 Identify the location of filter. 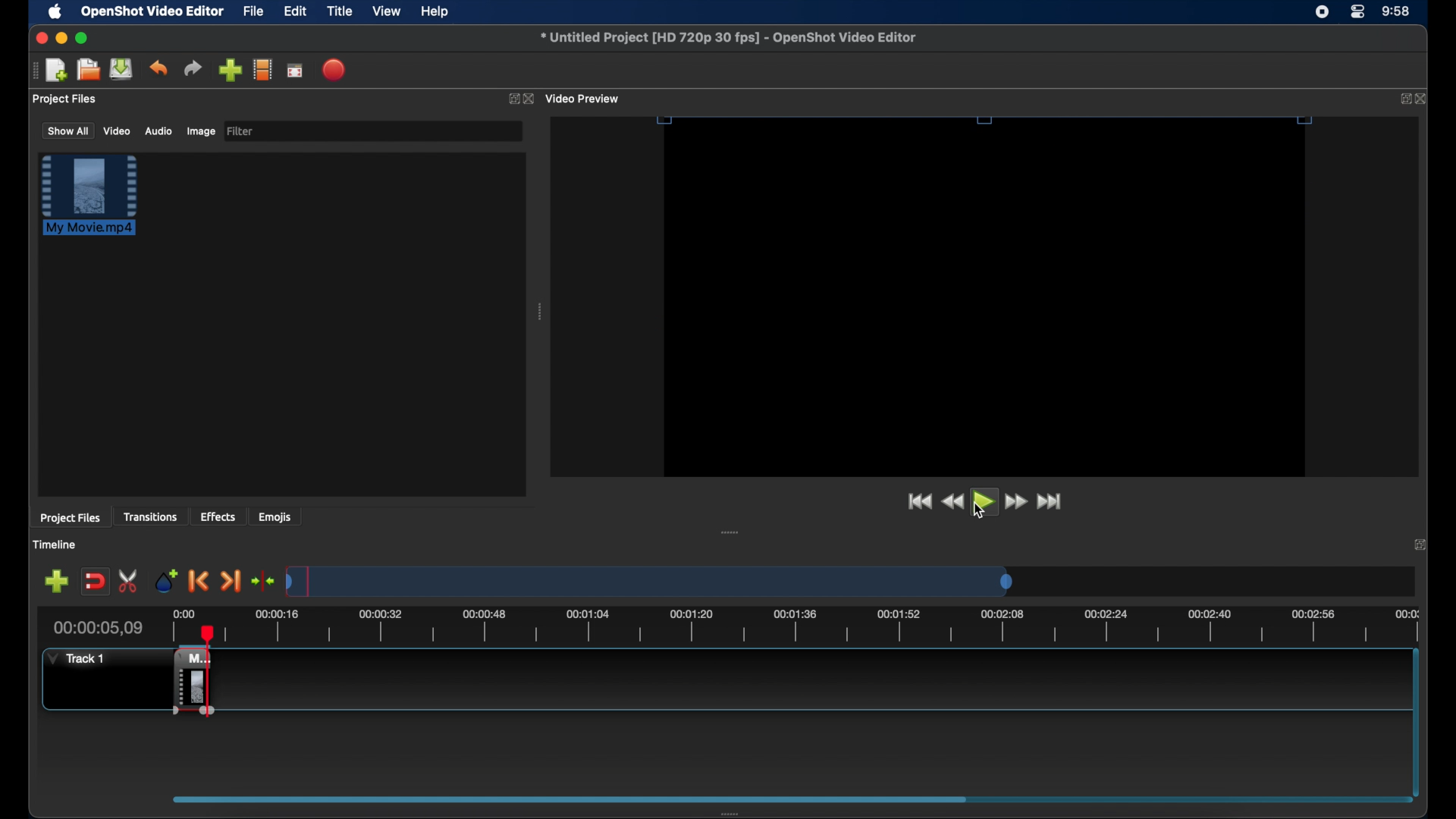
(241, 131).